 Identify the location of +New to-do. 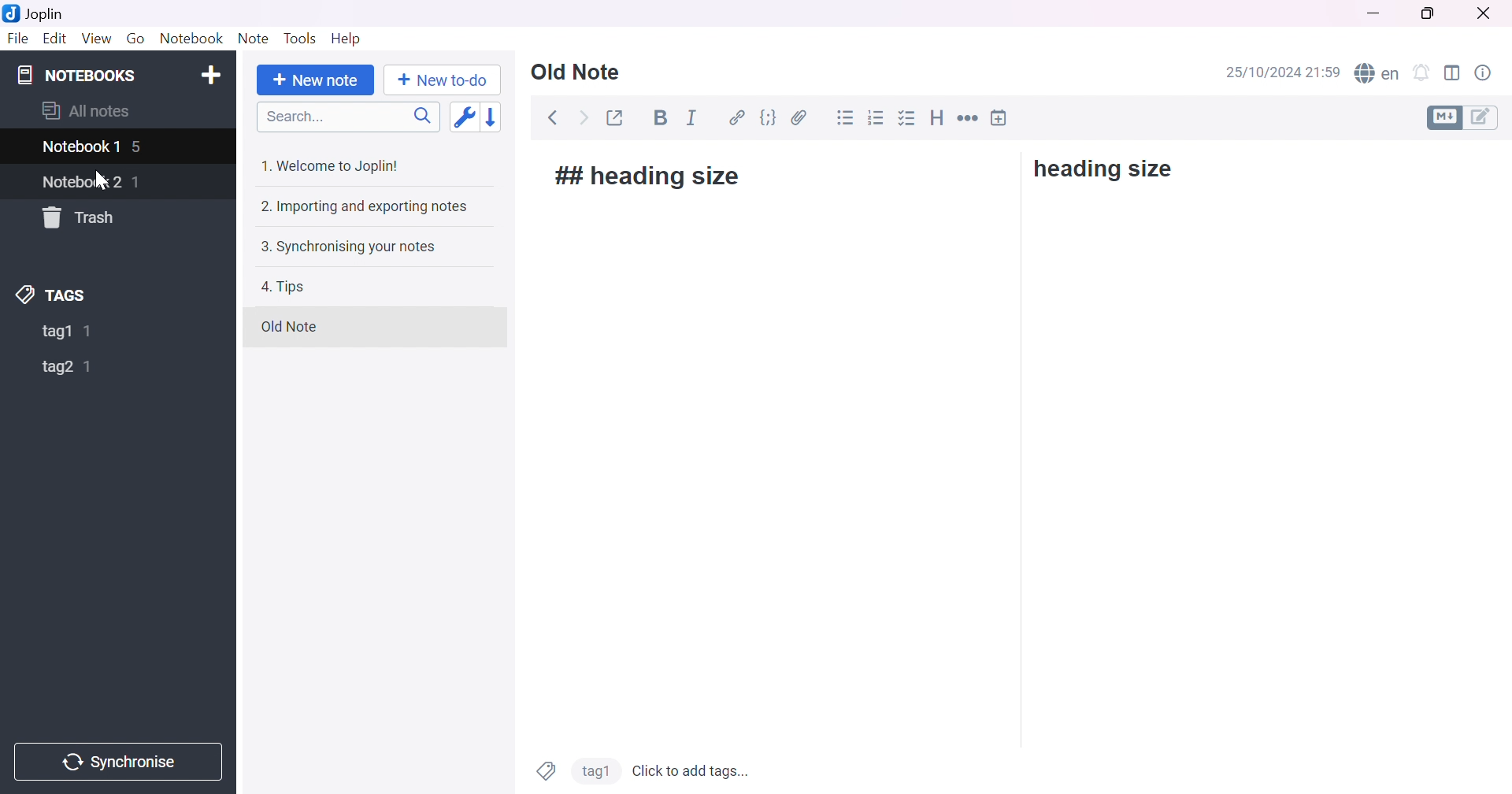
(447, 81).